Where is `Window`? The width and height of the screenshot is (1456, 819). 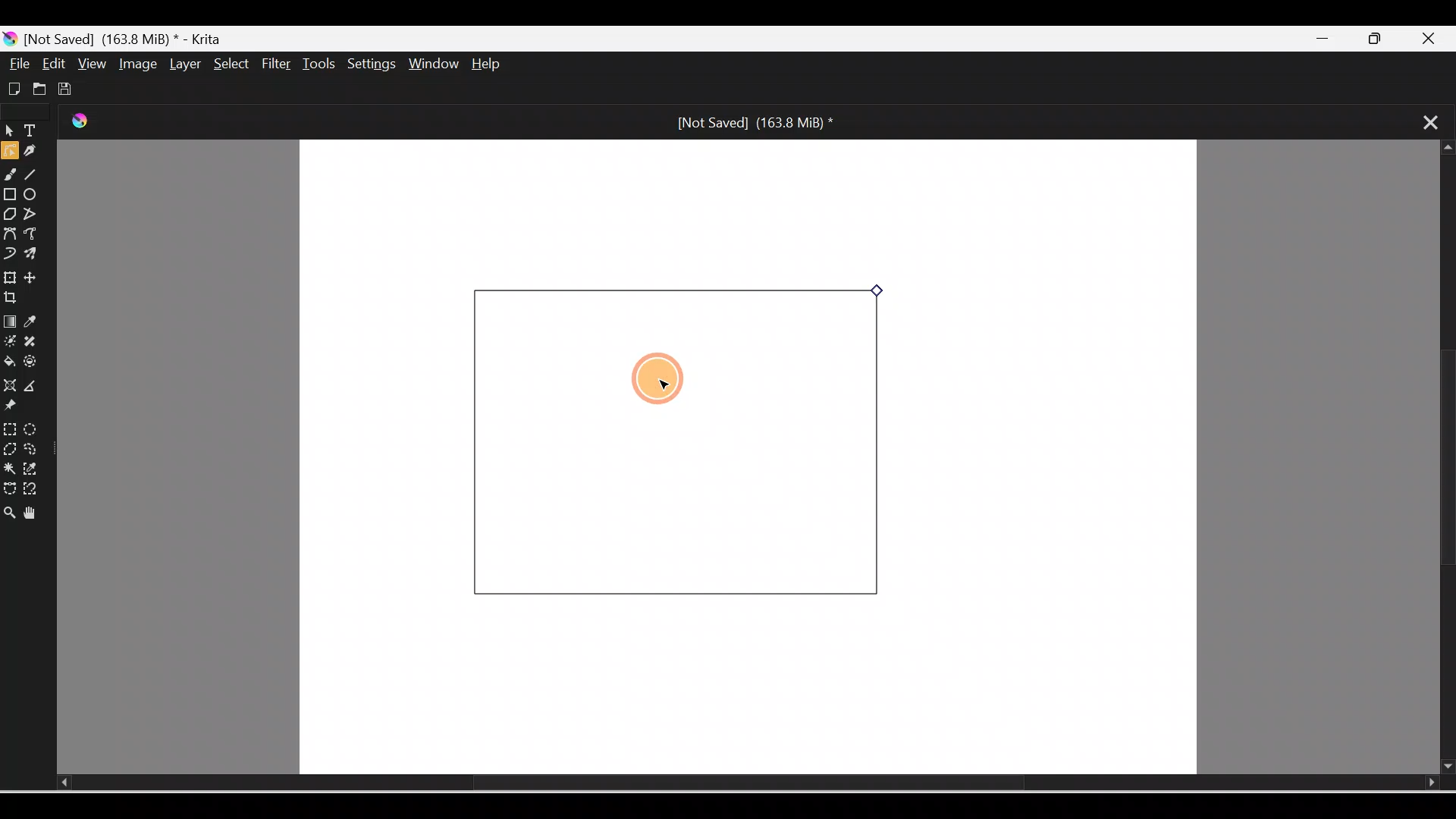
Window is located at coordinates (436, 65).